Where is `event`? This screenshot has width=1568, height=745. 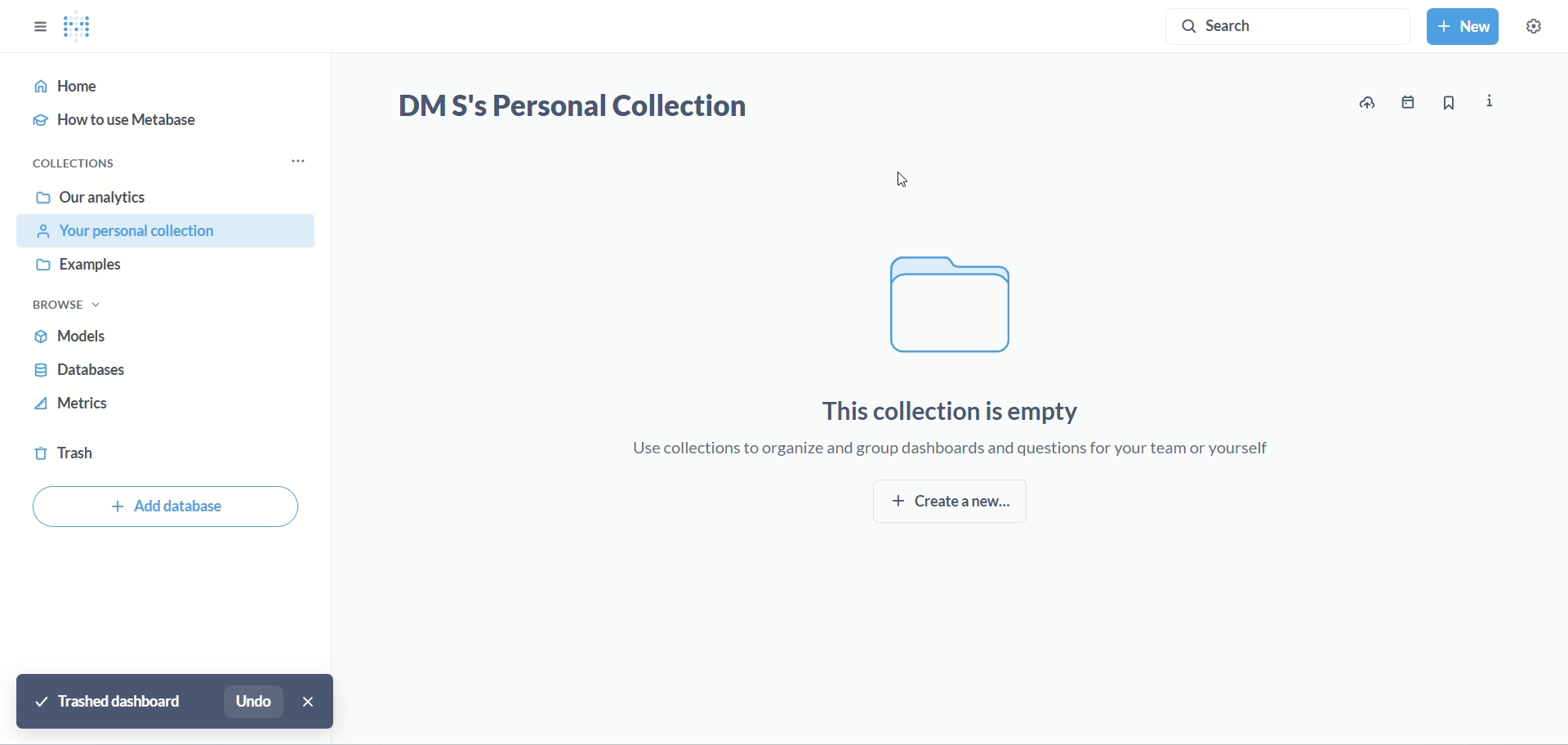
event is located at coordinates (1410, 102).